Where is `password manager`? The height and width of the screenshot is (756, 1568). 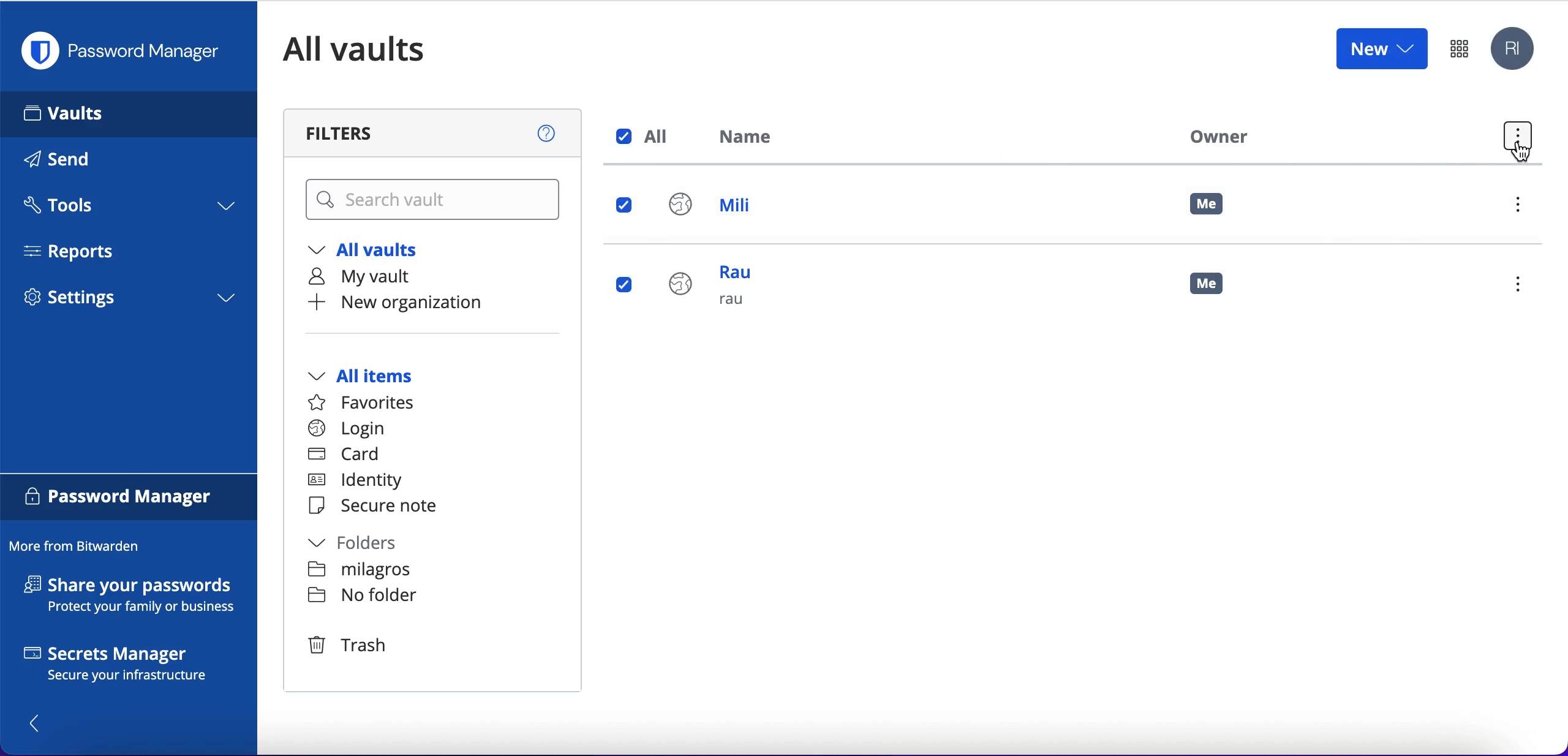
password manager is located at coordinates (126, 51).